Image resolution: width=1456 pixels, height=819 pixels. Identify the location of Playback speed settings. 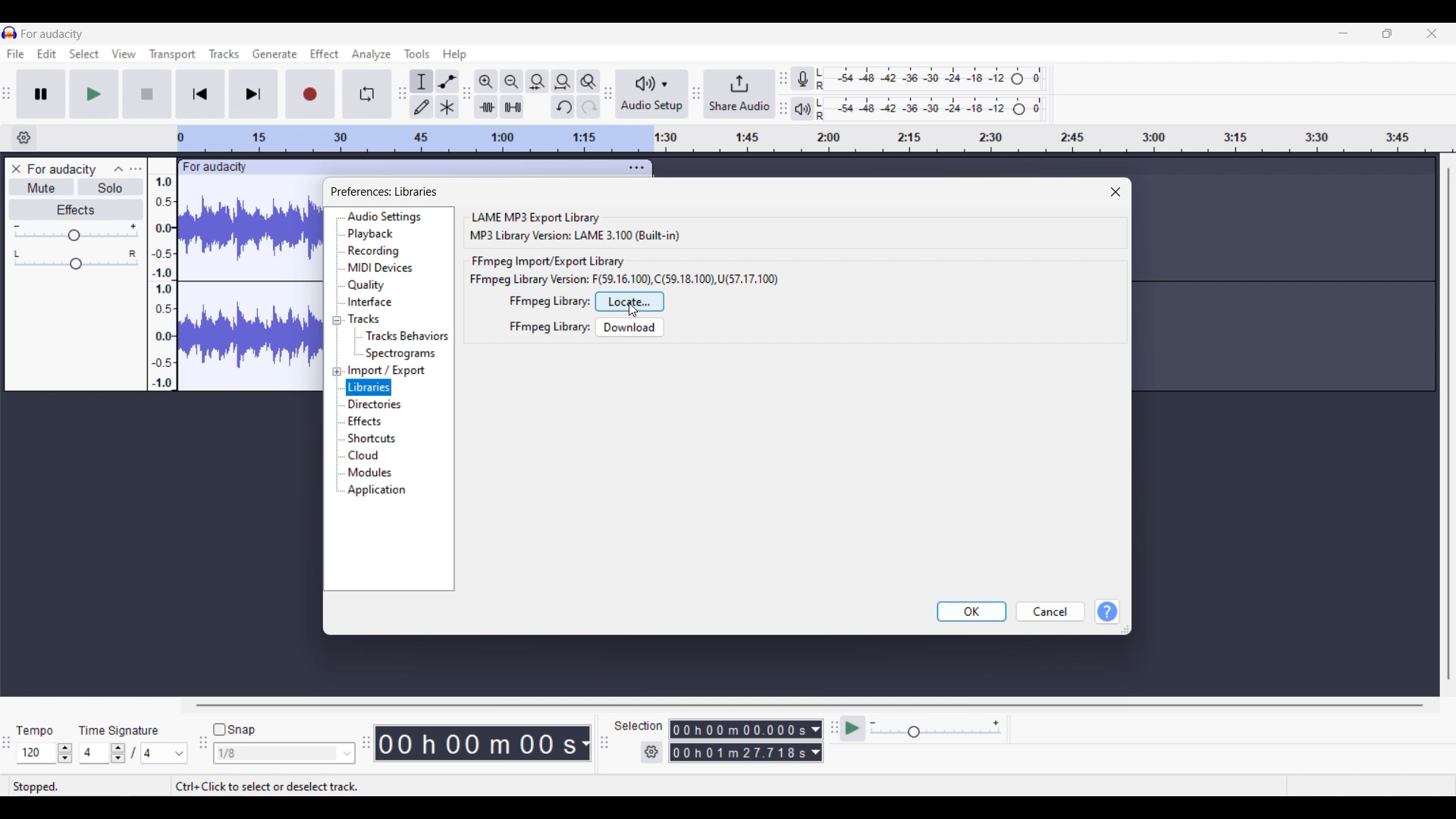
(937, 728).